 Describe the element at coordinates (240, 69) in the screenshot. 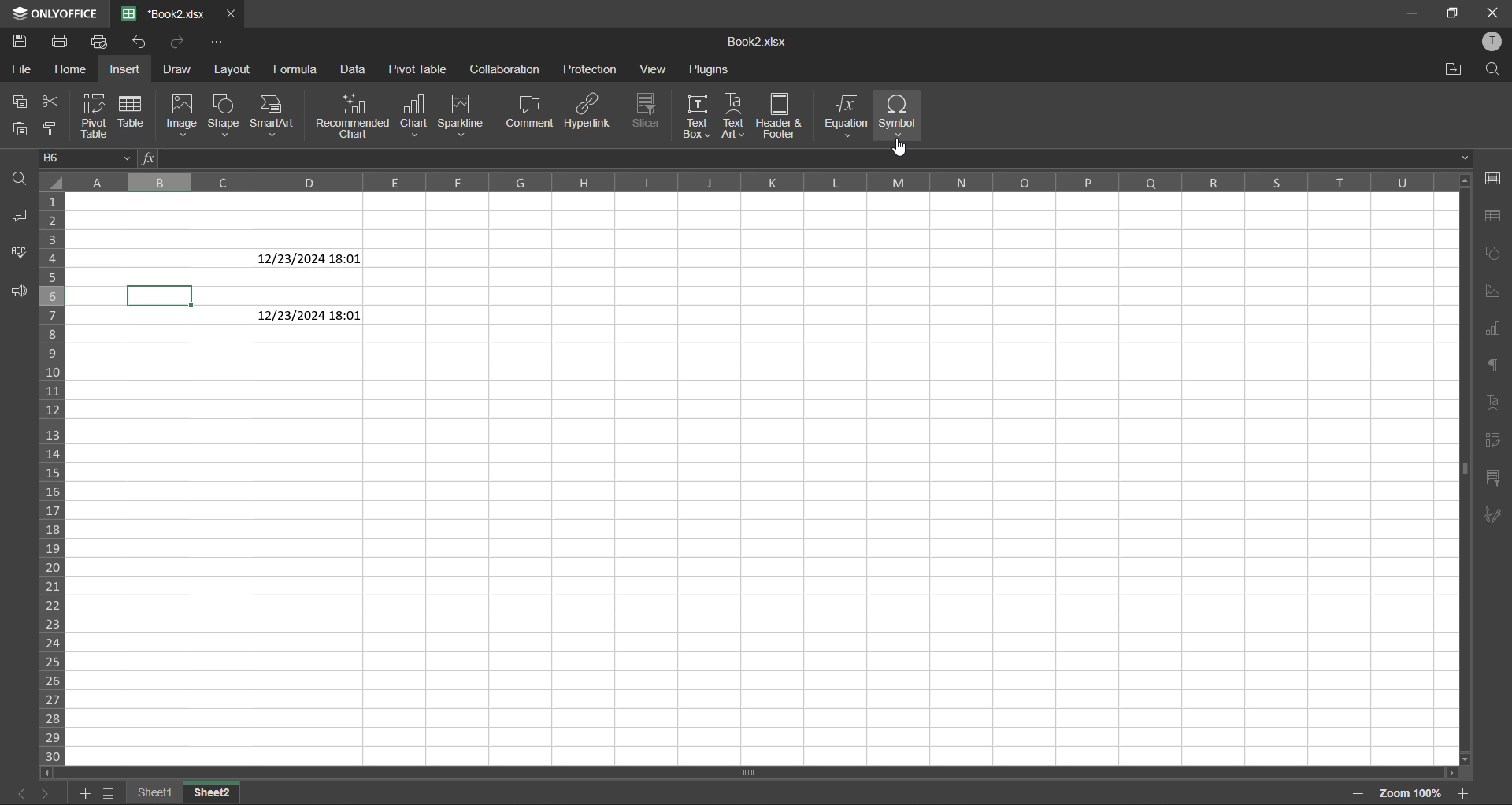

I see `layout` at that location.